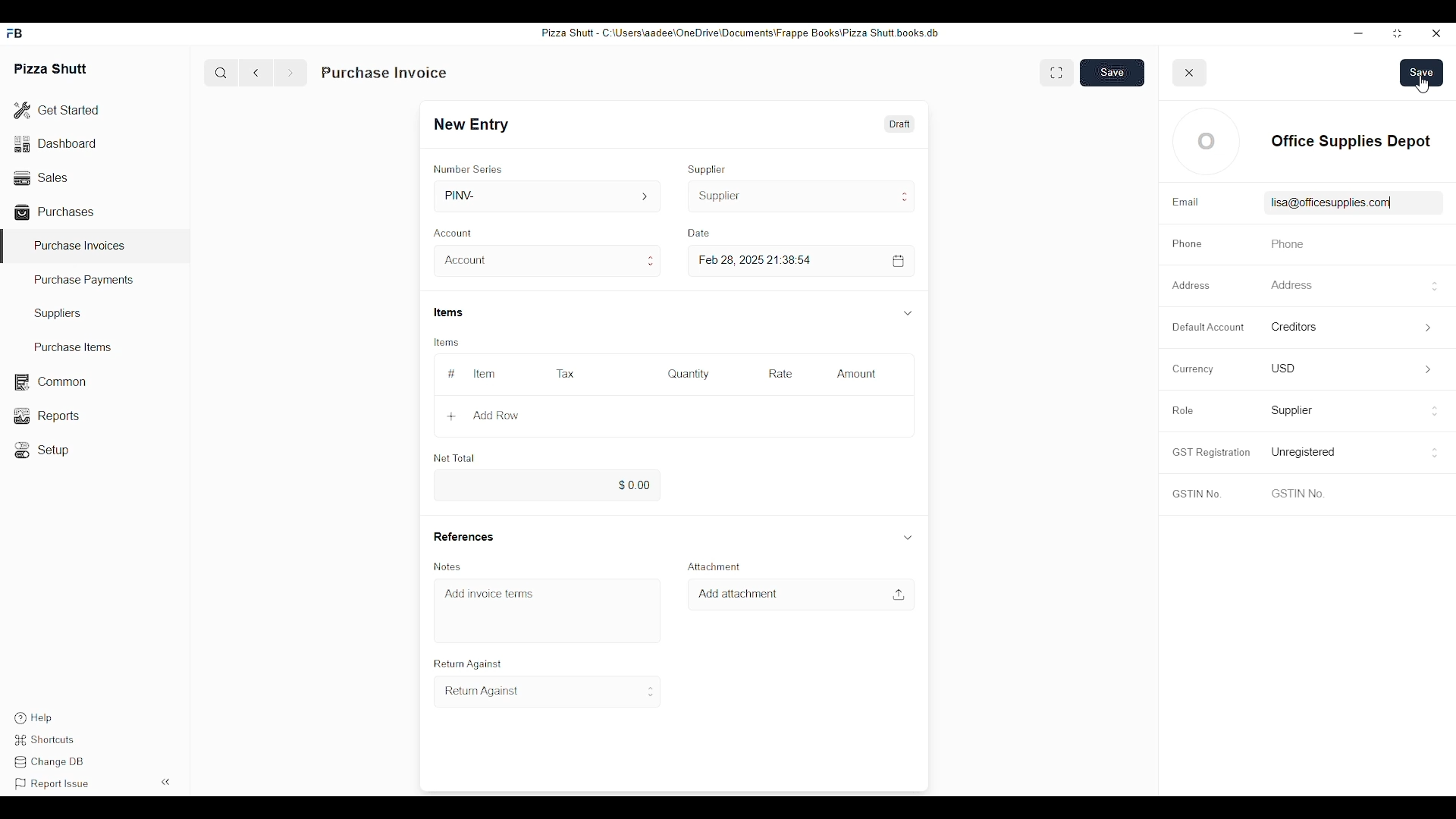 The height and width of the screenshot is (819, 1456). Describe the element at coordinates (167, 781) in the screenshot. I see `<<` at that location.